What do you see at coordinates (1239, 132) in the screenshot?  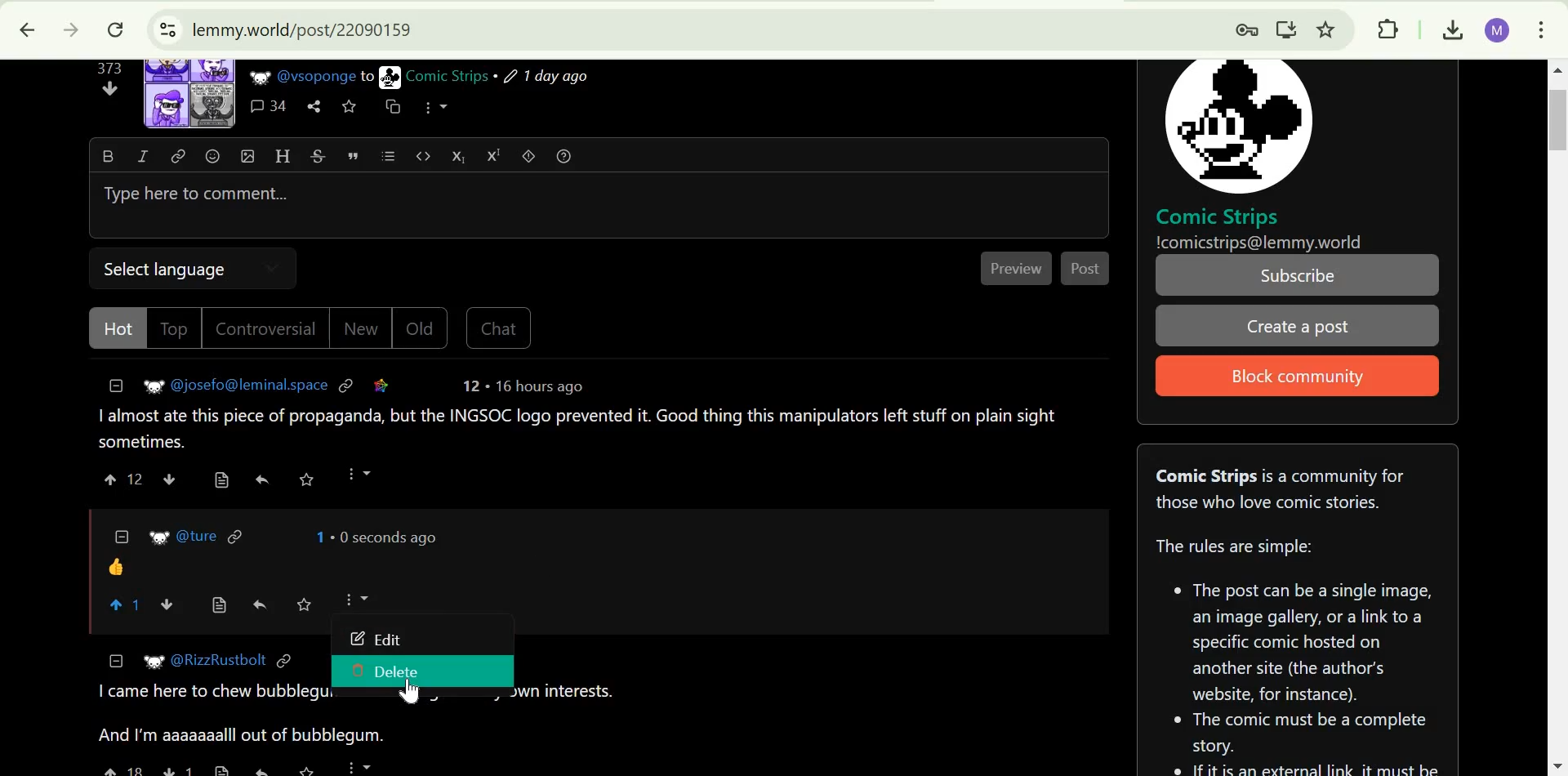 I see `community icon` at bounding box center [1239, 132].